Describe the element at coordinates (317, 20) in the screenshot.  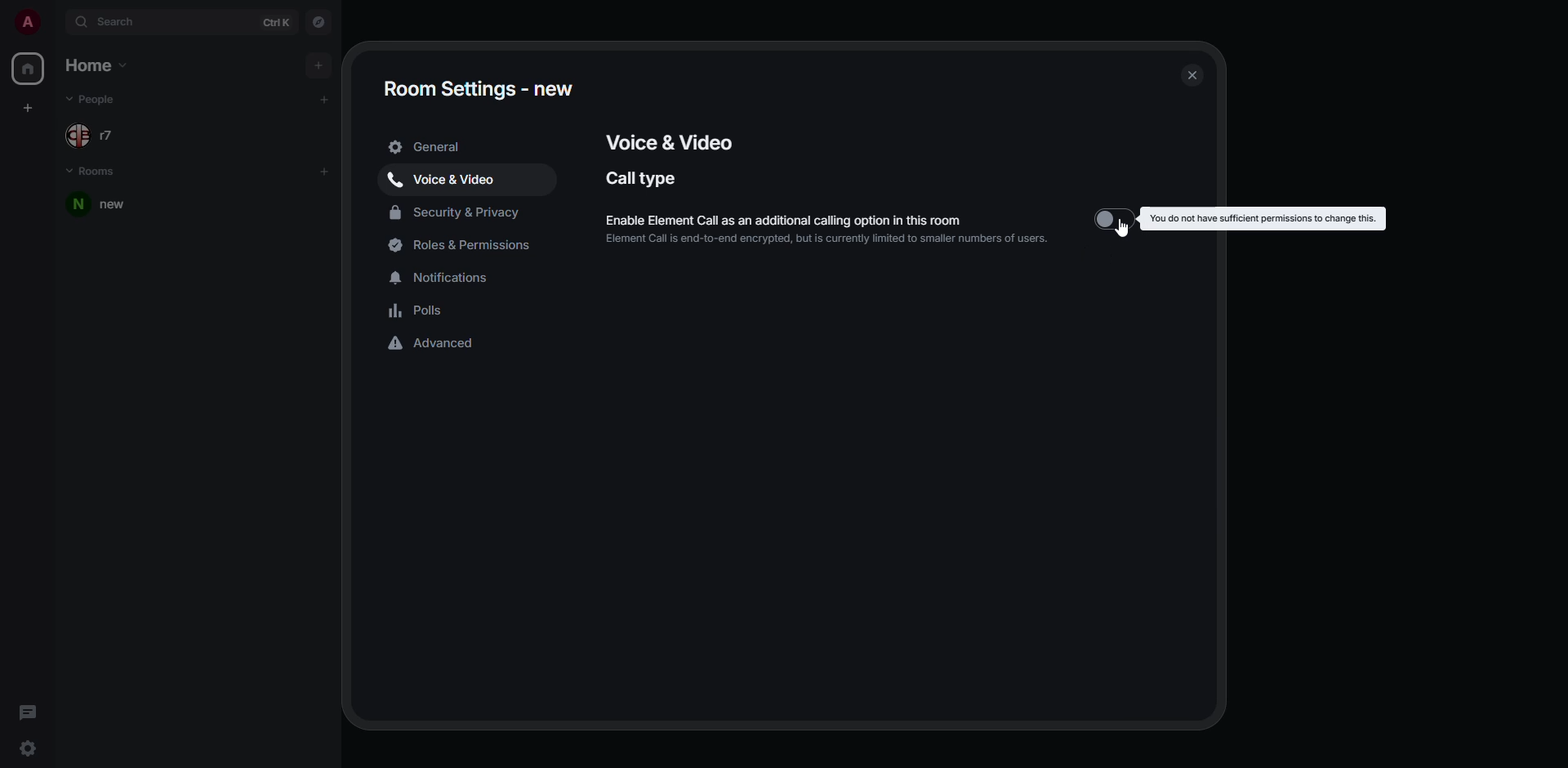
I see `navigator` at that location.